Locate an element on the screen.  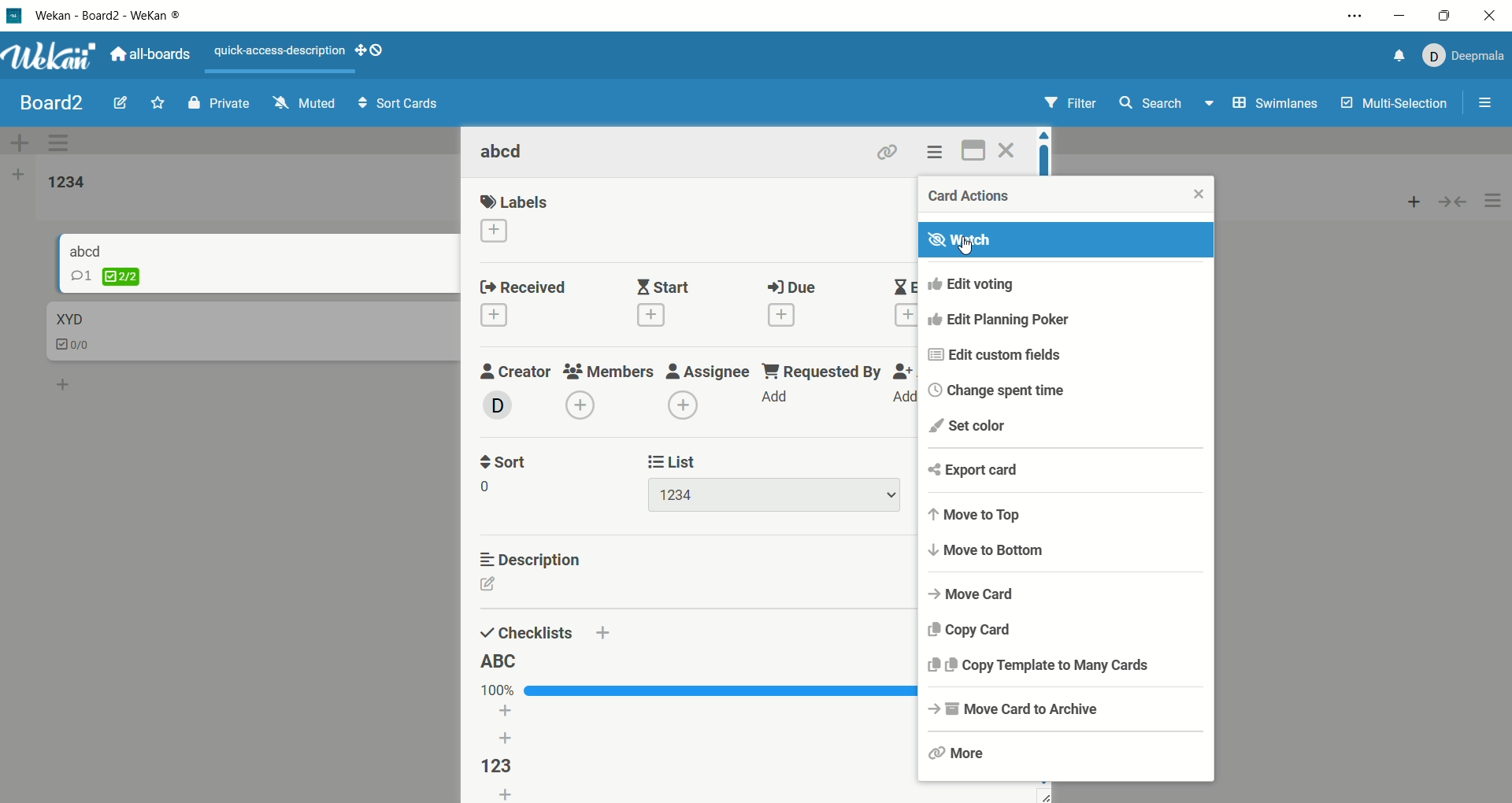
cursor is located at coordinates (973, 252).